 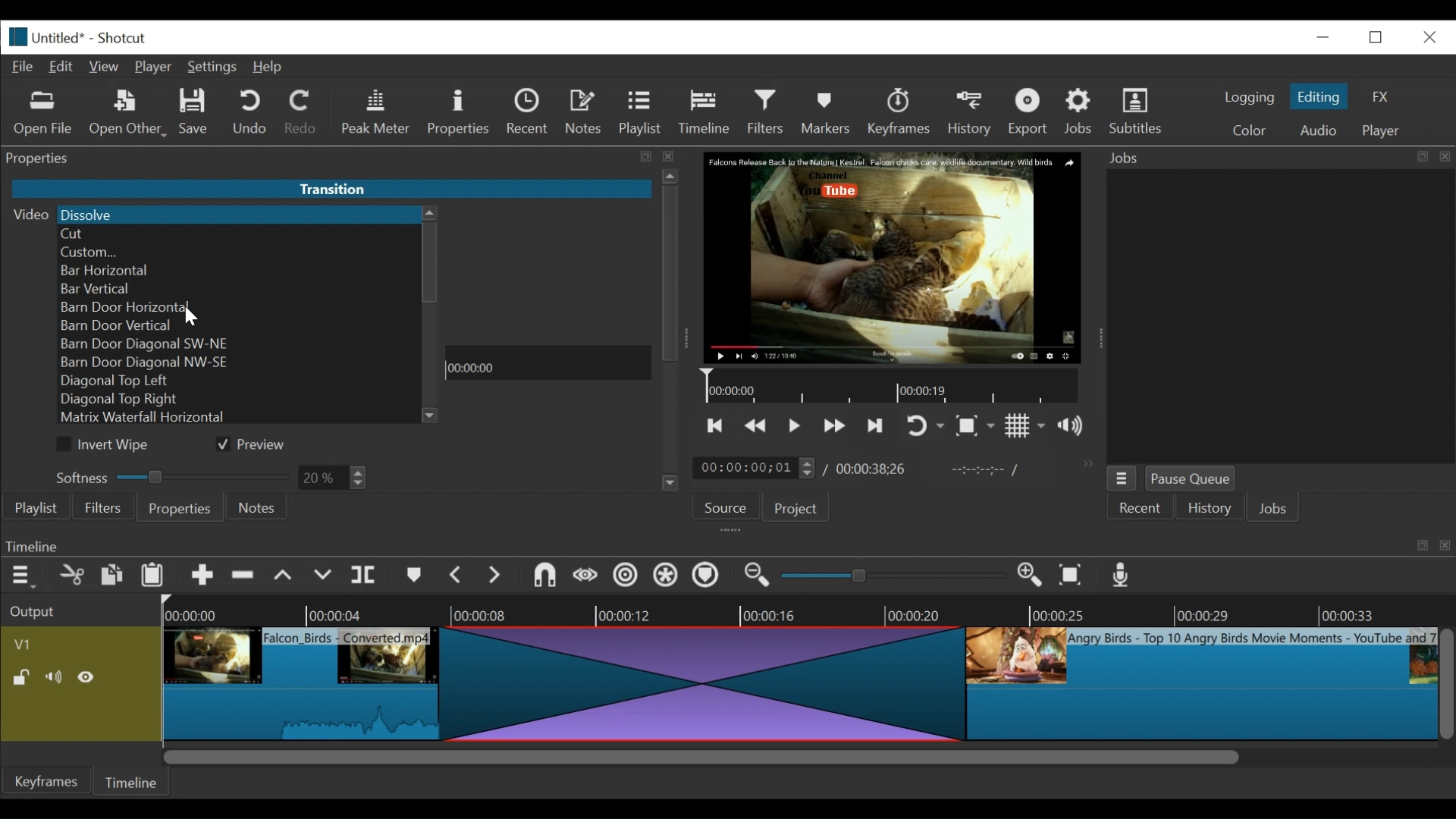 What do you see at coordinates (1122, 579) in the screenshot?
I see `Record audio` at bounding box center [1122, 579].